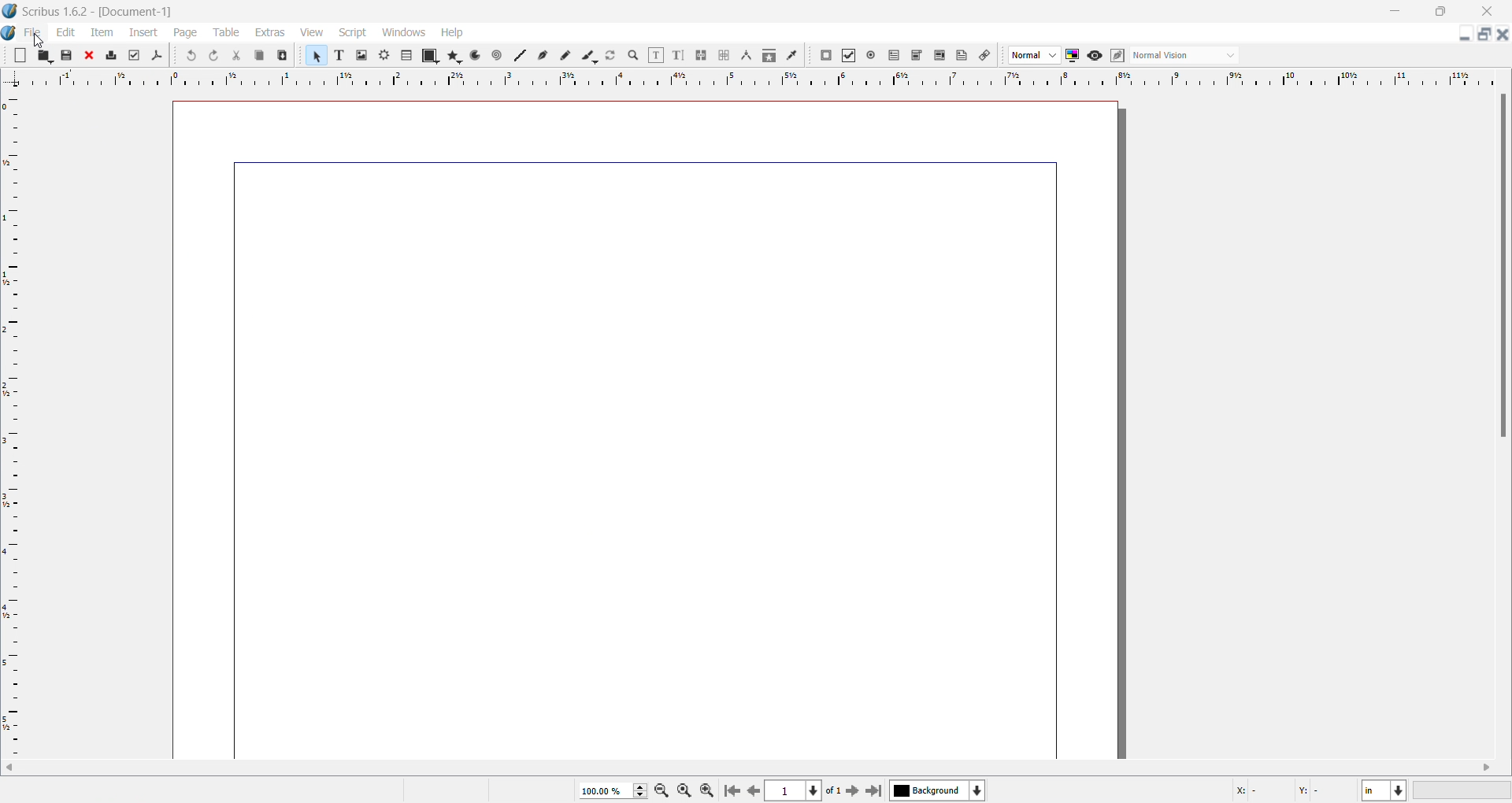 This screenshot has width=1512, height=803. I want to click on close, so click(1488, 9).